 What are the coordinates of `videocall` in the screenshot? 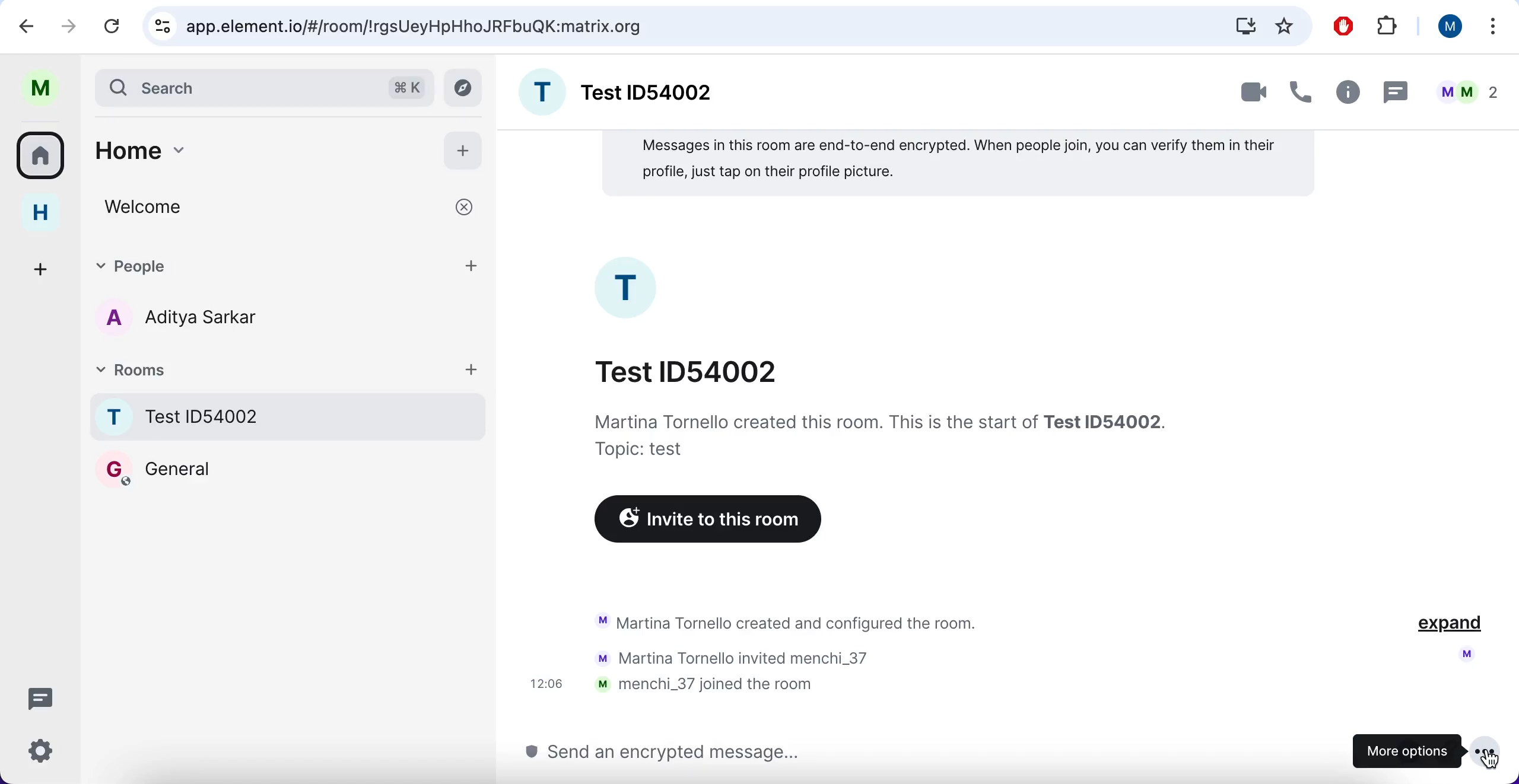 It's located at (1251, 94).